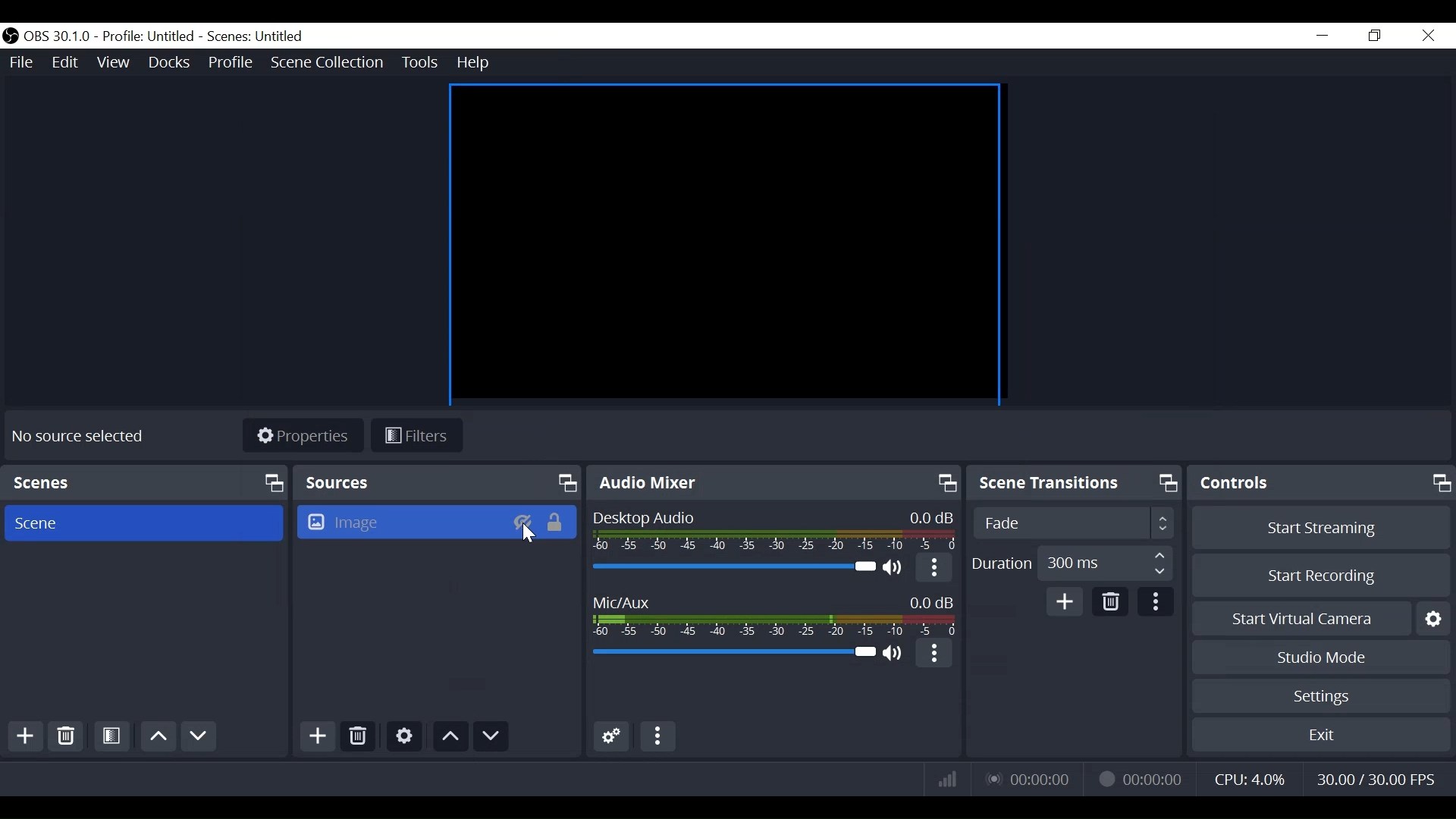 This screenshot has width=1456, height=819. Describe the element at coordinates (1376, 35) in the screenshot. I see `restore` at that location.